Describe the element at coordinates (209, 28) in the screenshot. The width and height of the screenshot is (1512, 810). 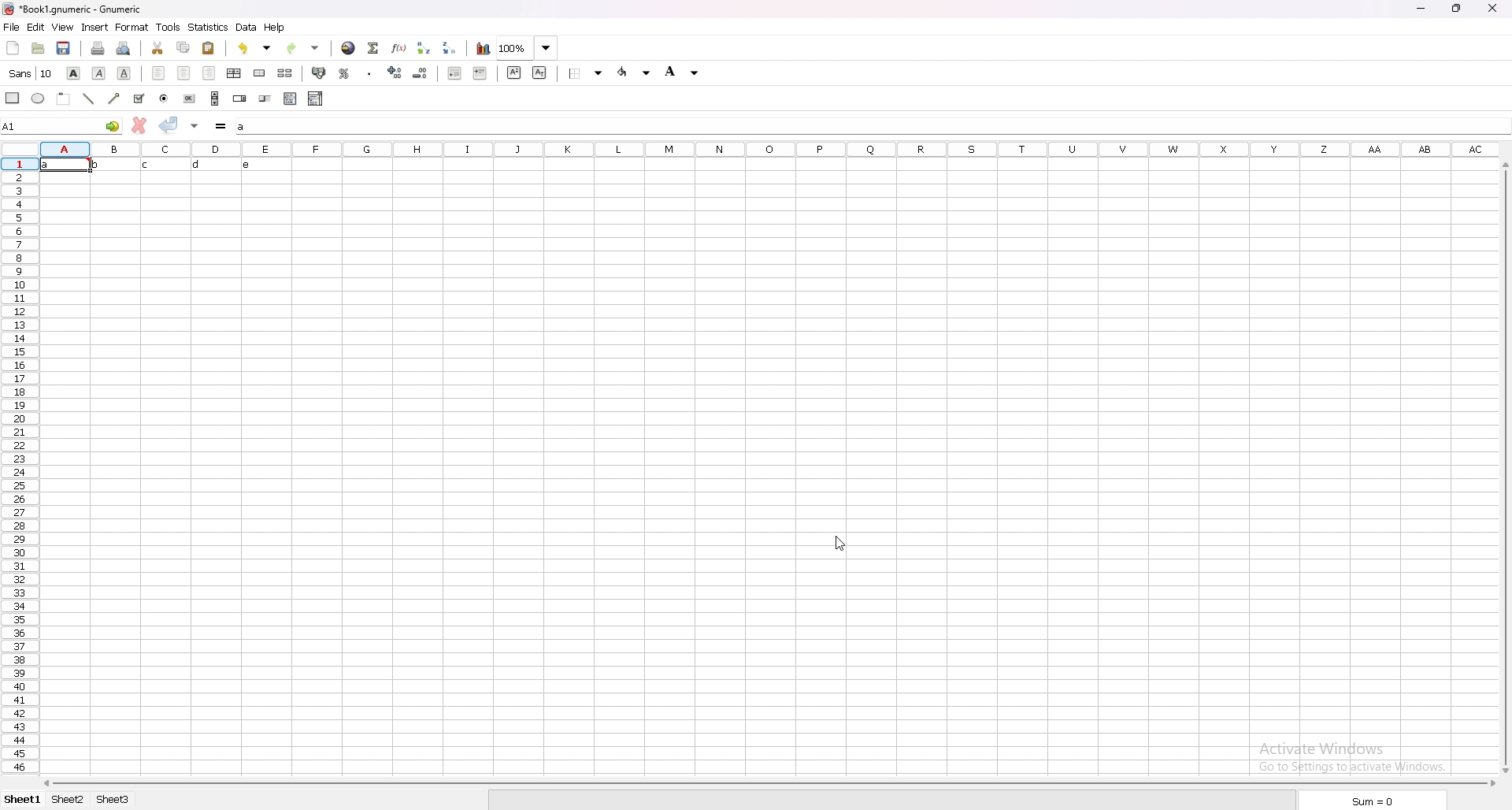
I see `statistics` at that location.